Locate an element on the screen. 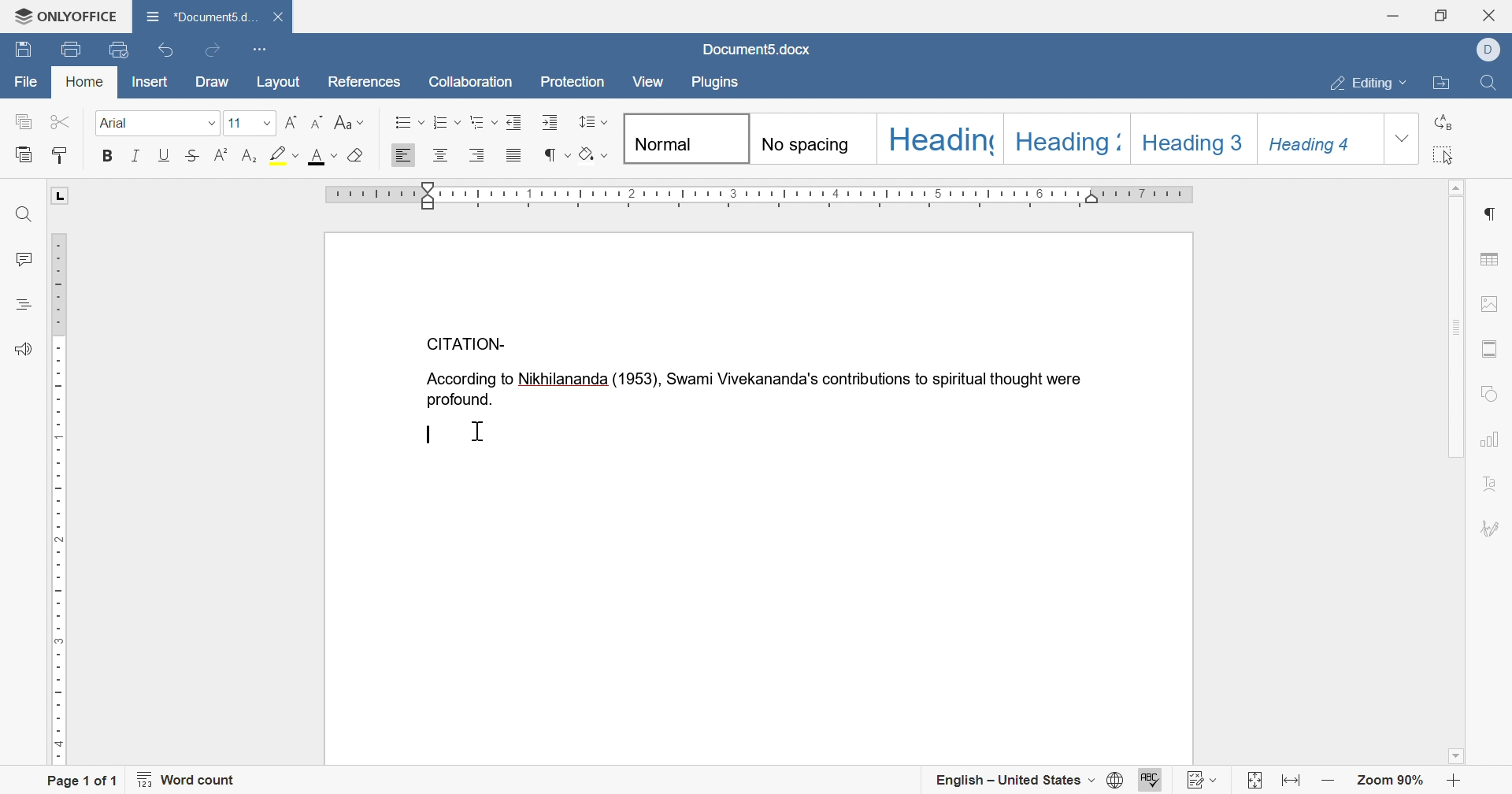 Image resolution: width=1512 pixels, height=794 pixels. redo is located at coordinates (216, 51).